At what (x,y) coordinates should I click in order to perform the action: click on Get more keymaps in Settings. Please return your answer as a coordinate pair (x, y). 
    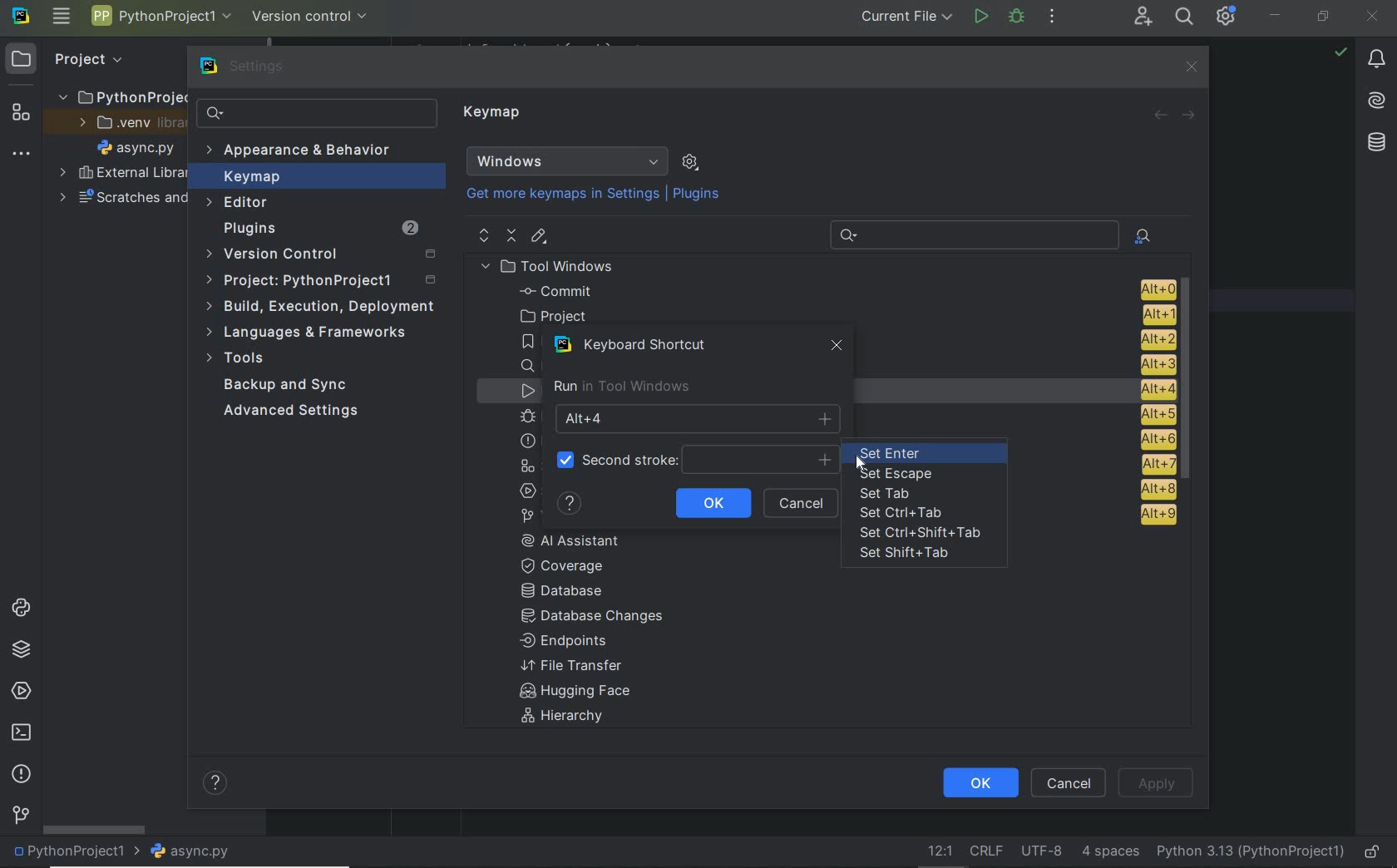
    Looking at the image, I should click on (555, 195).